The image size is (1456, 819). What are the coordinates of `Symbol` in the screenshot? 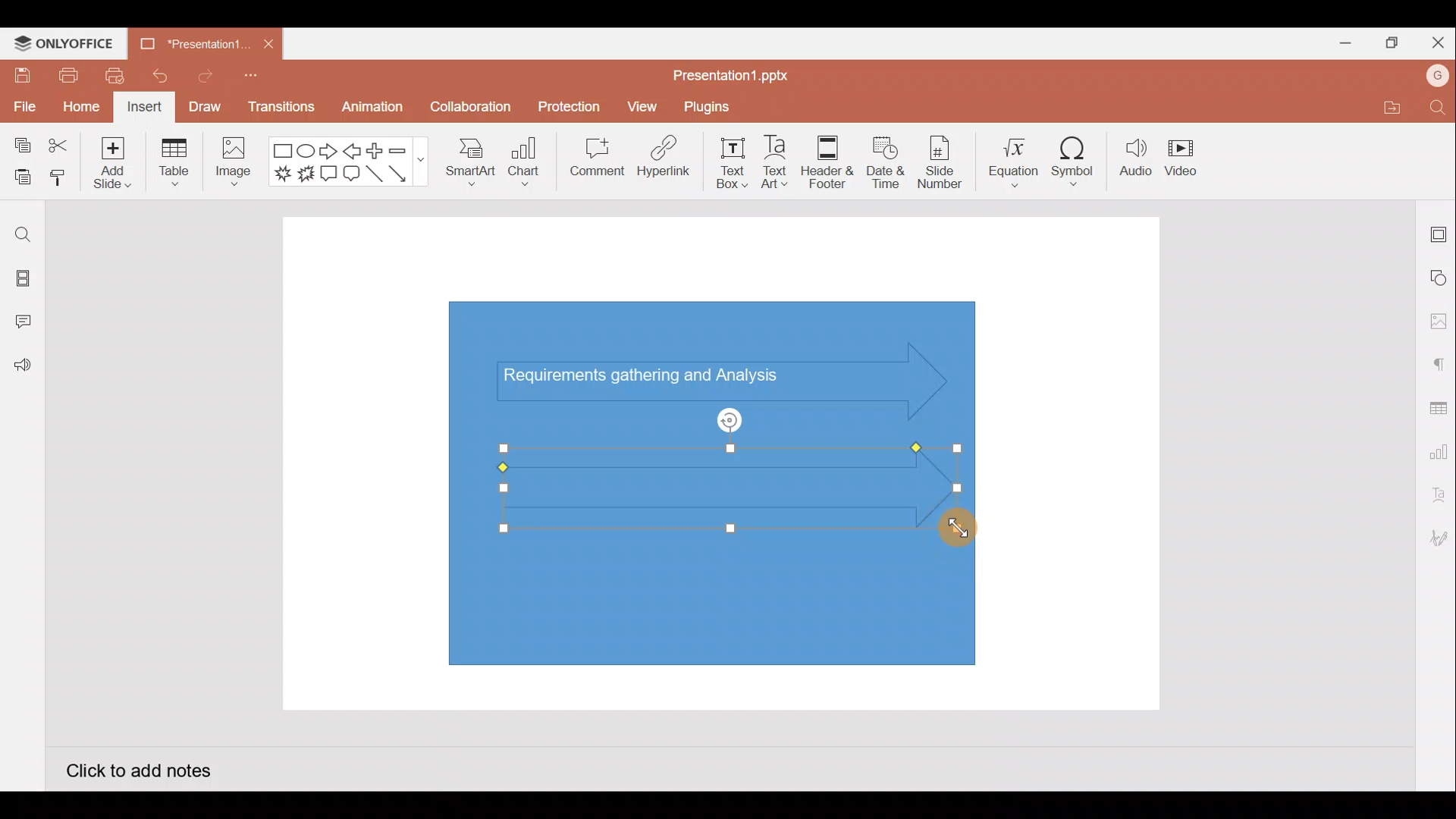 It's located at (1074, 158).